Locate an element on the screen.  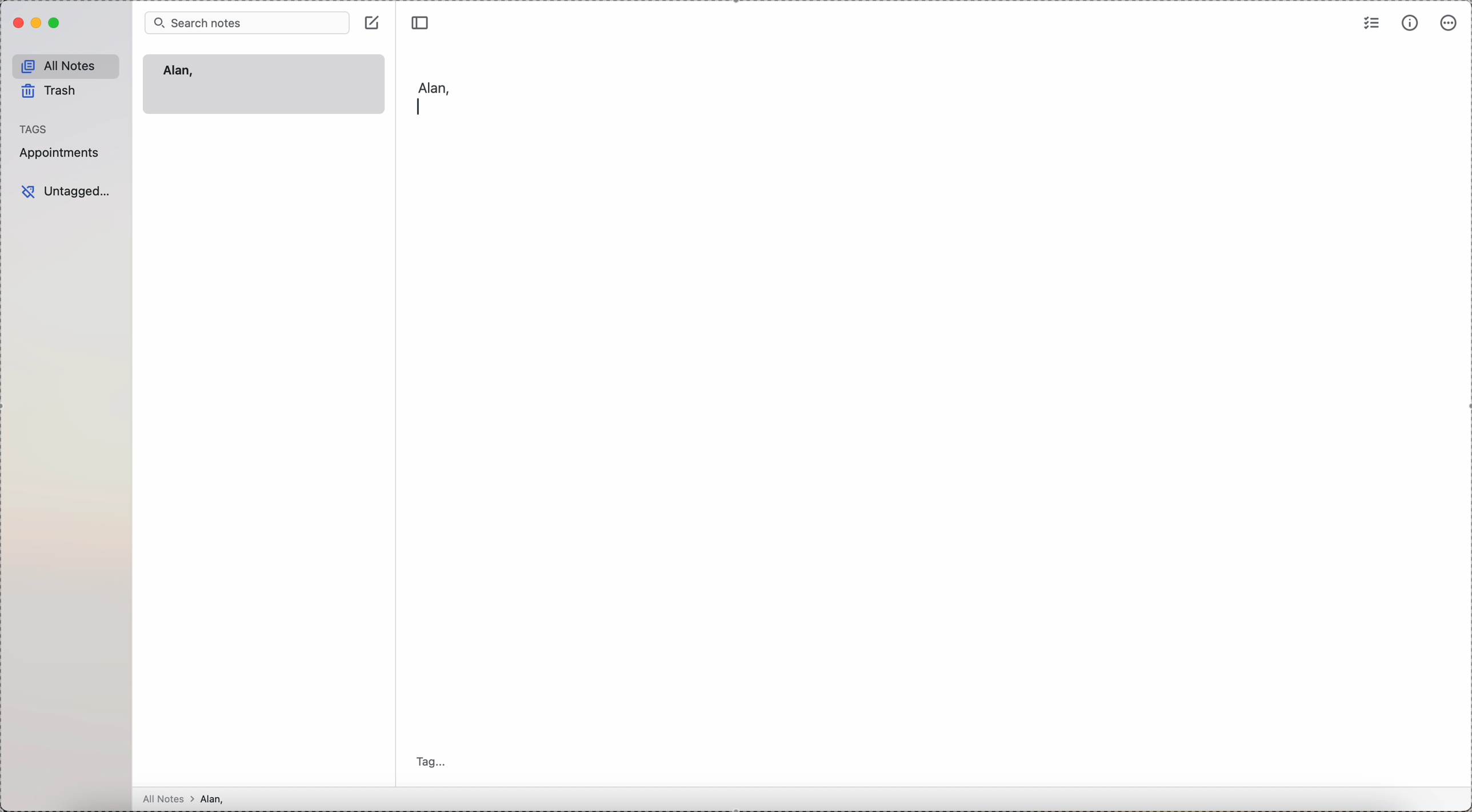
all notes > Alan, is located at coordinates (187, 799).